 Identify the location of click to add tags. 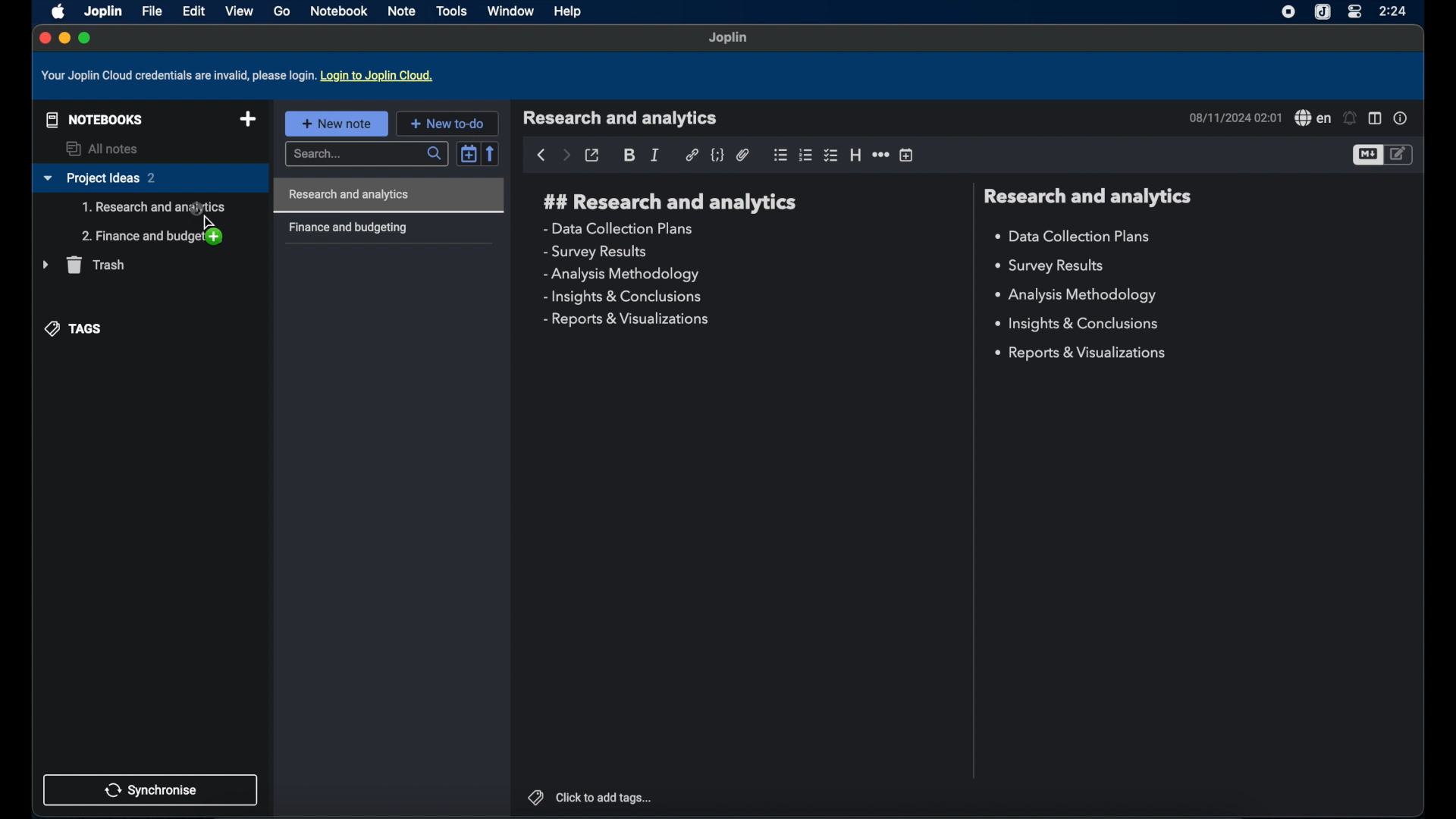
(589, 796).